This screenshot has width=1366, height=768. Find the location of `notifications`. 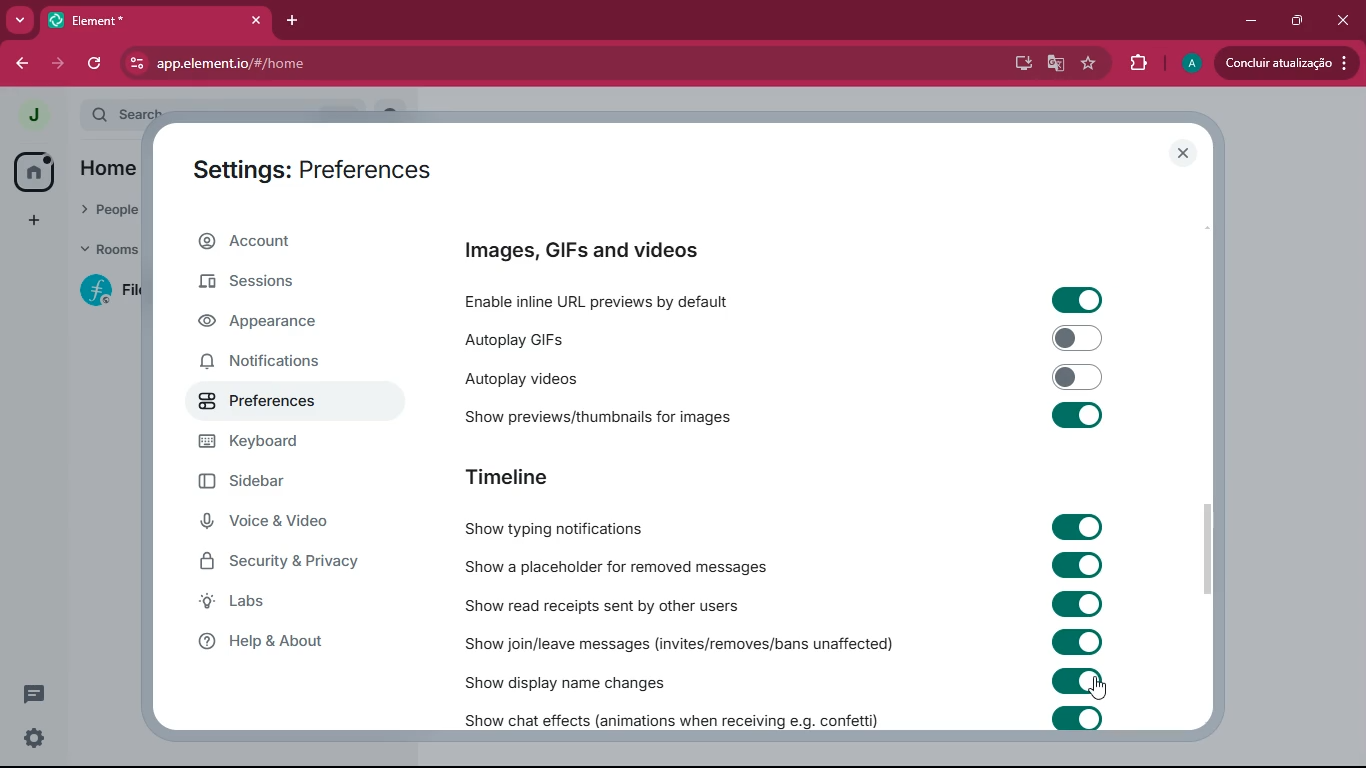

notifications is located at coordinates (259, 363).